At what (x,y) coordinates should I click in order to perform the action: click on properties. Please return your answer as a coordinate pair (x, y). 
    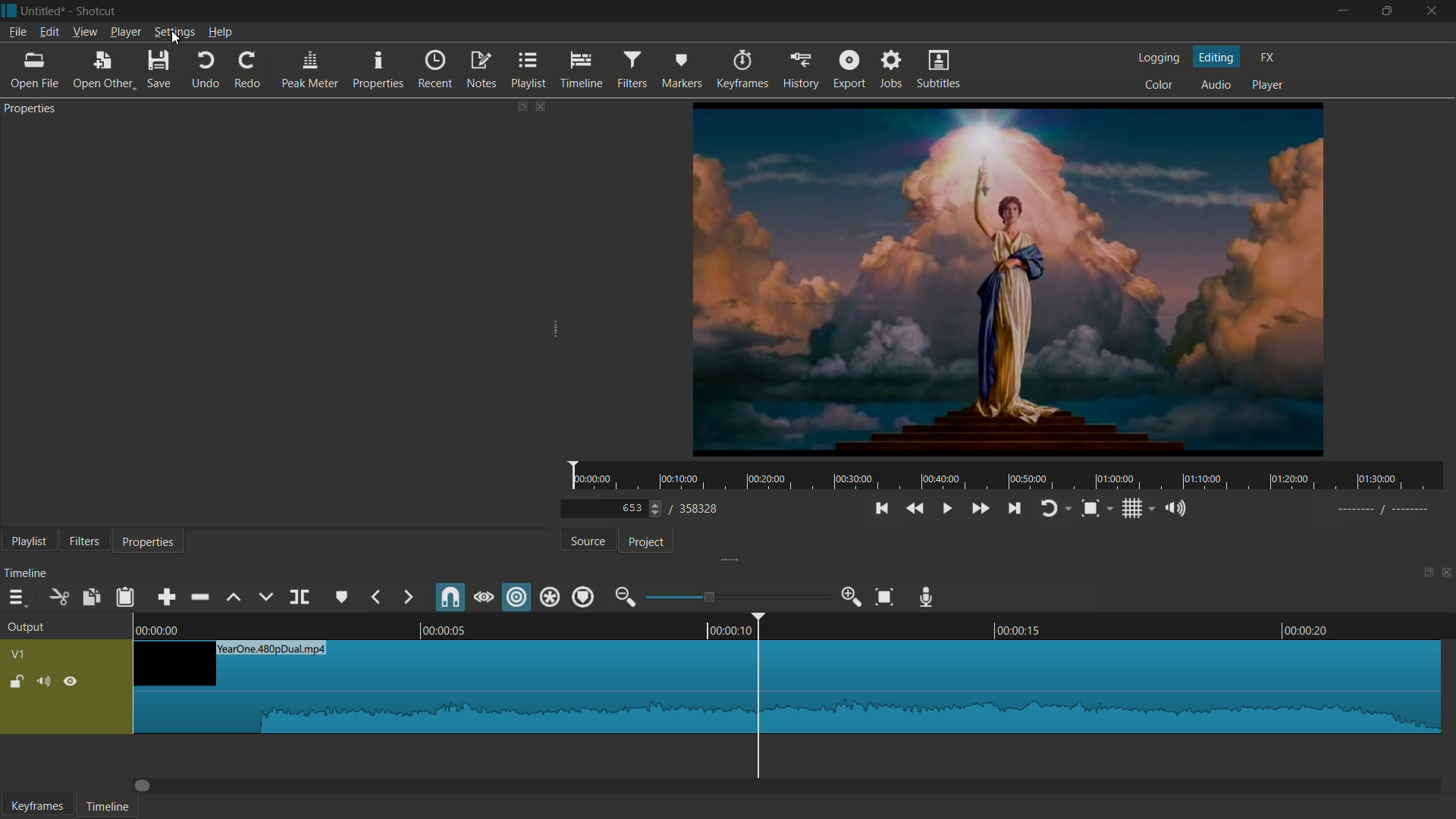
    Looking at the image, I should click on (30, 108).